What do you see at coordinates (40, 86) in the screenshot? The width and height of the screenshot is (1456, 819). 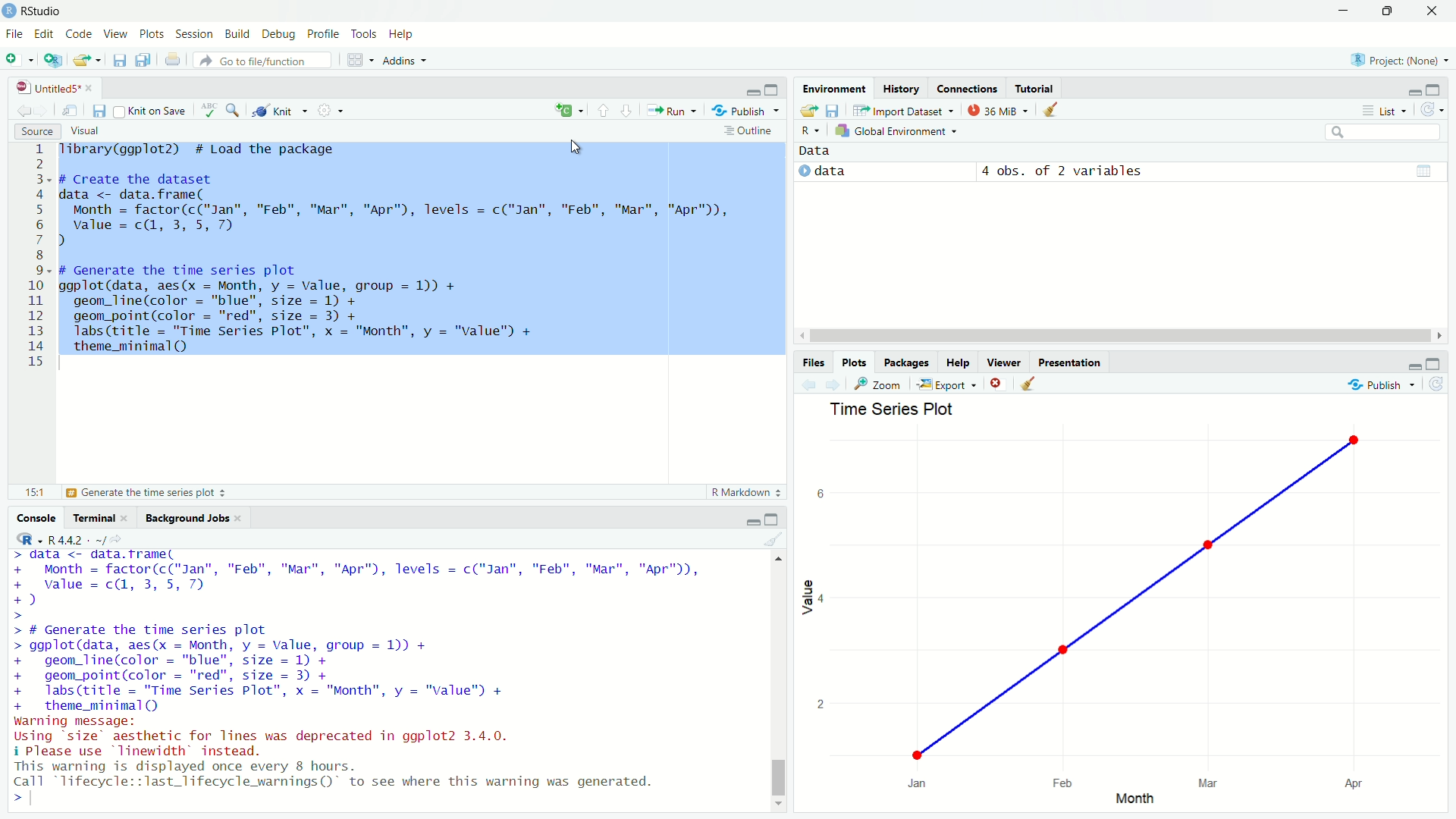 I see `untitled5` at bounding box center [40, 86].